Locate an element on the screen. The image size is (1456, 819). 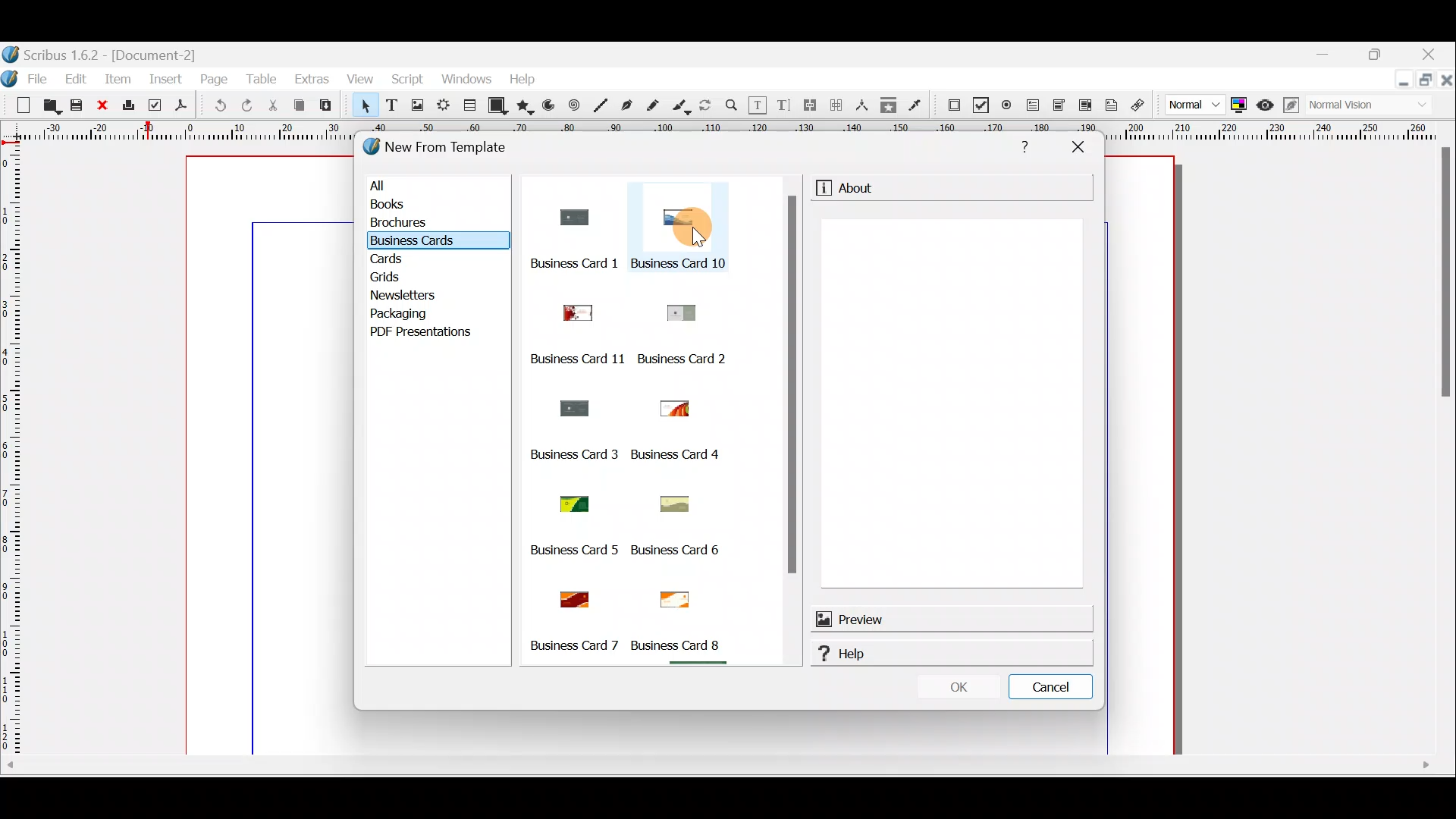
Toggle colour management system is located at coordinates (1240, 104).